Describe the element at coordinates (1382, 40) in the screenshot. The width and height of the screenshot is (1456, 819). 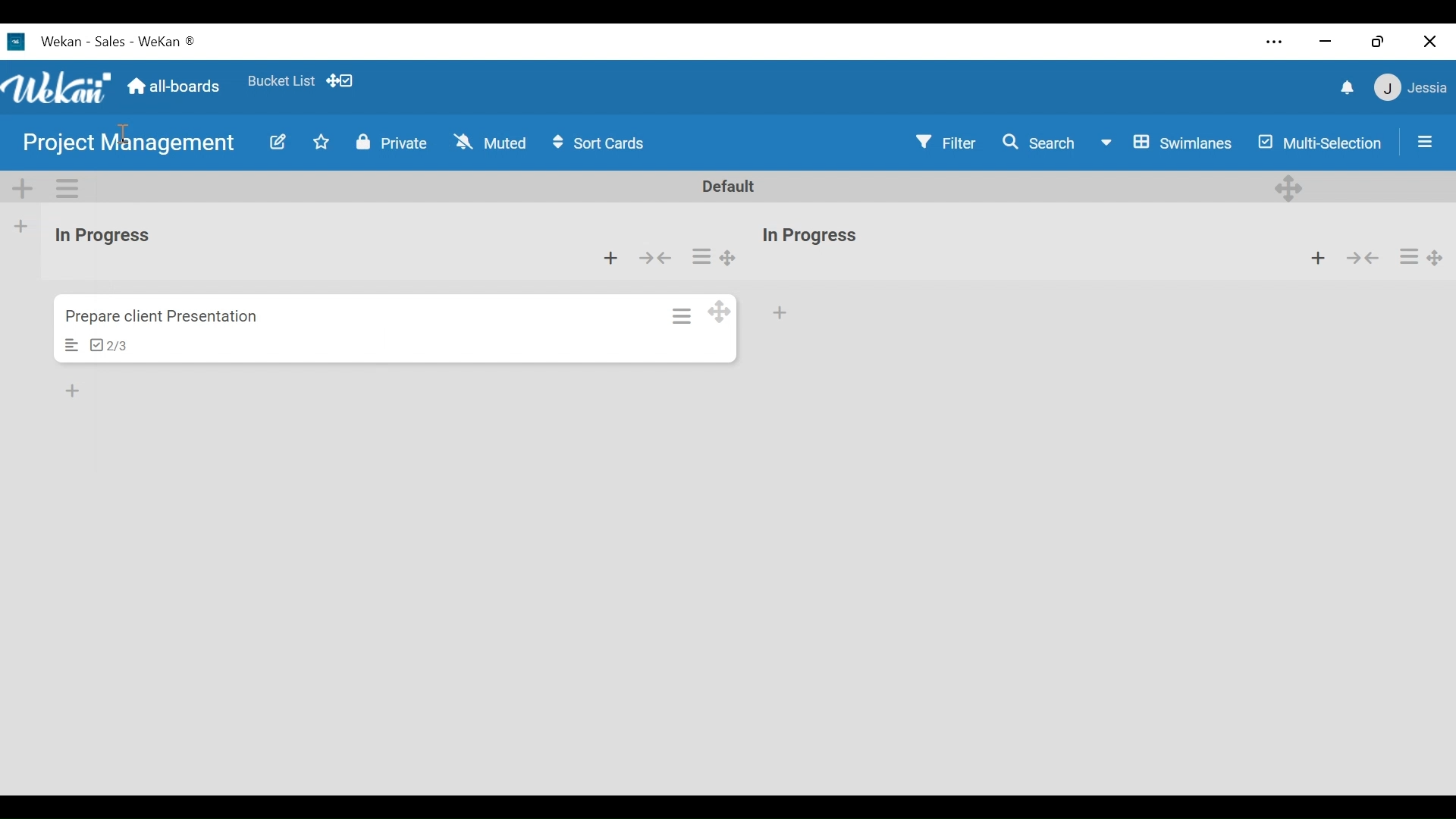
I see `Restore` at that location.